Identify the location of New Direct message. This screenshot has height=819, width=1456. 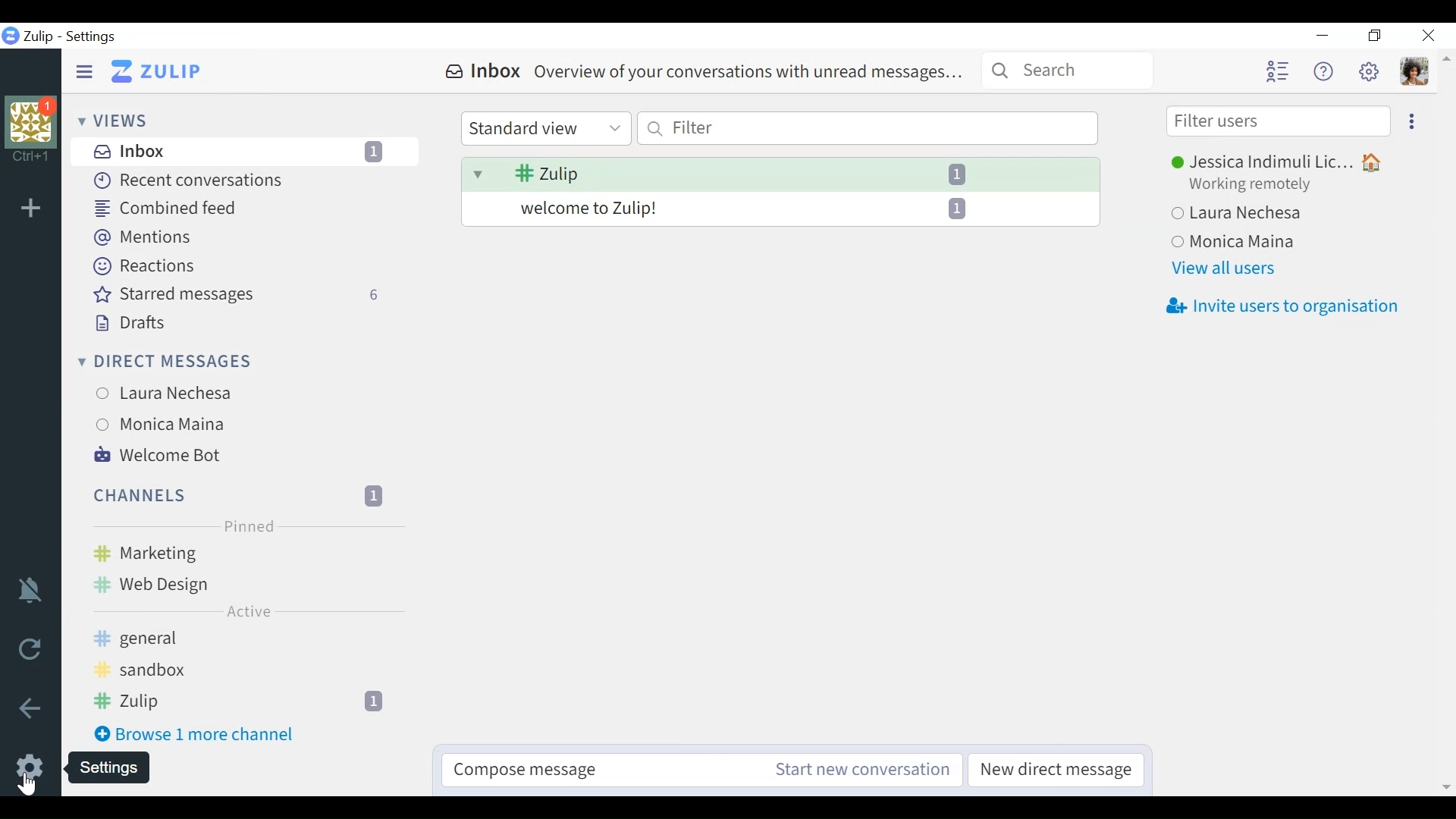
(1052, 770).